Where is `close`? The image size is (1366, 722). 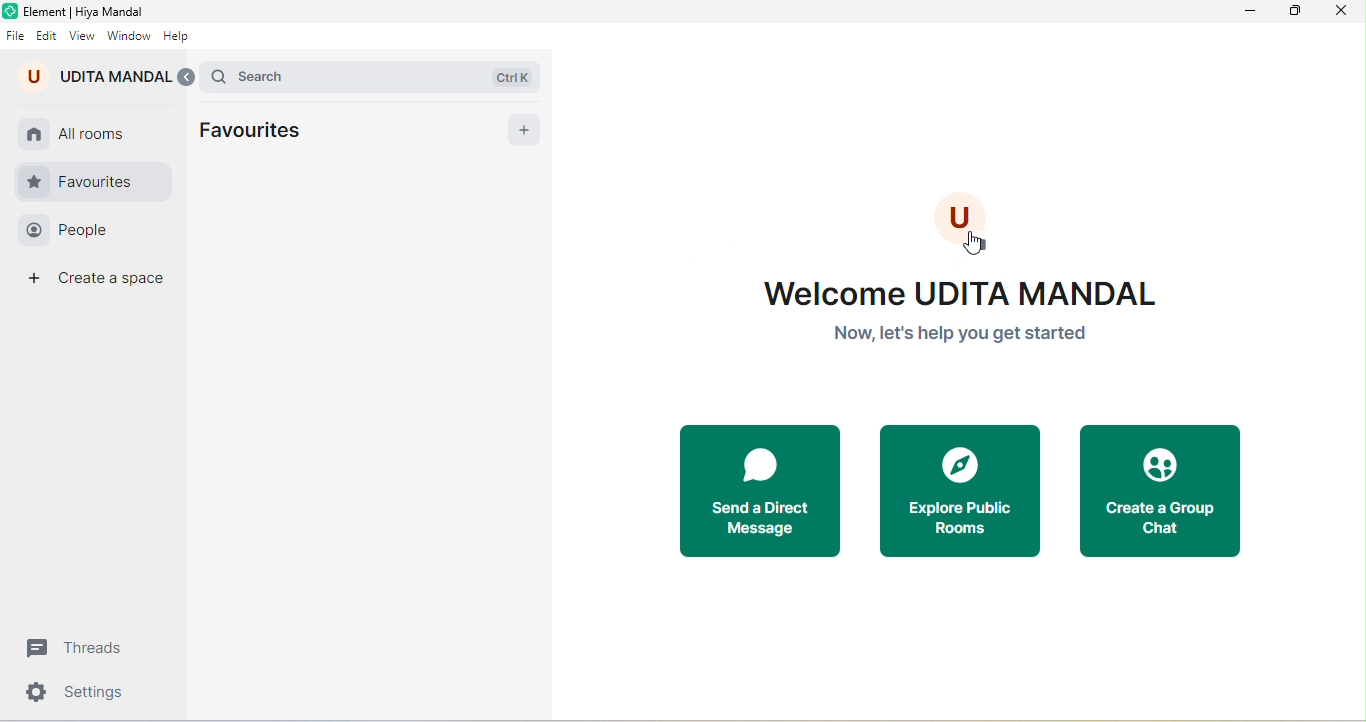 close is located at coordinates (1340, 14).